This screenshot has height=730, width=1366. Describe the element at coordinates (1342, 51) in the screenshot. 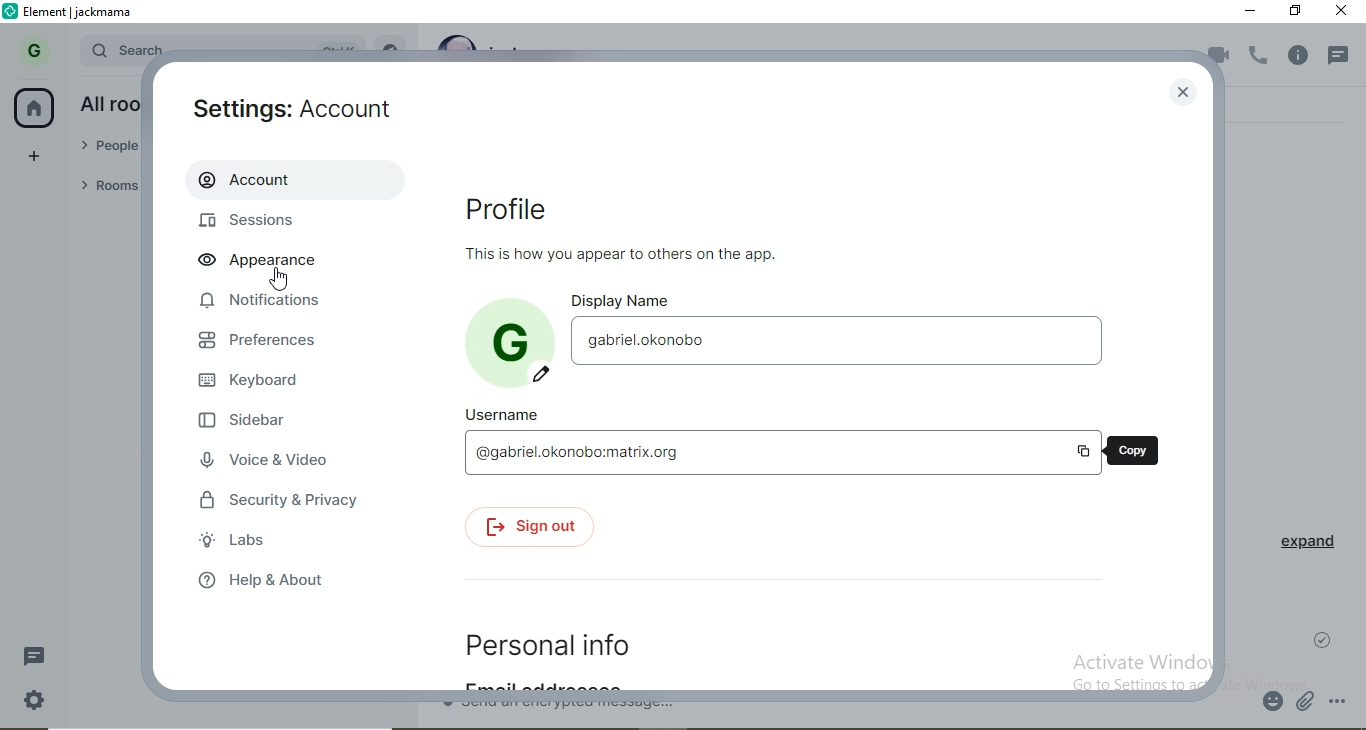

I see `notification` at that location.